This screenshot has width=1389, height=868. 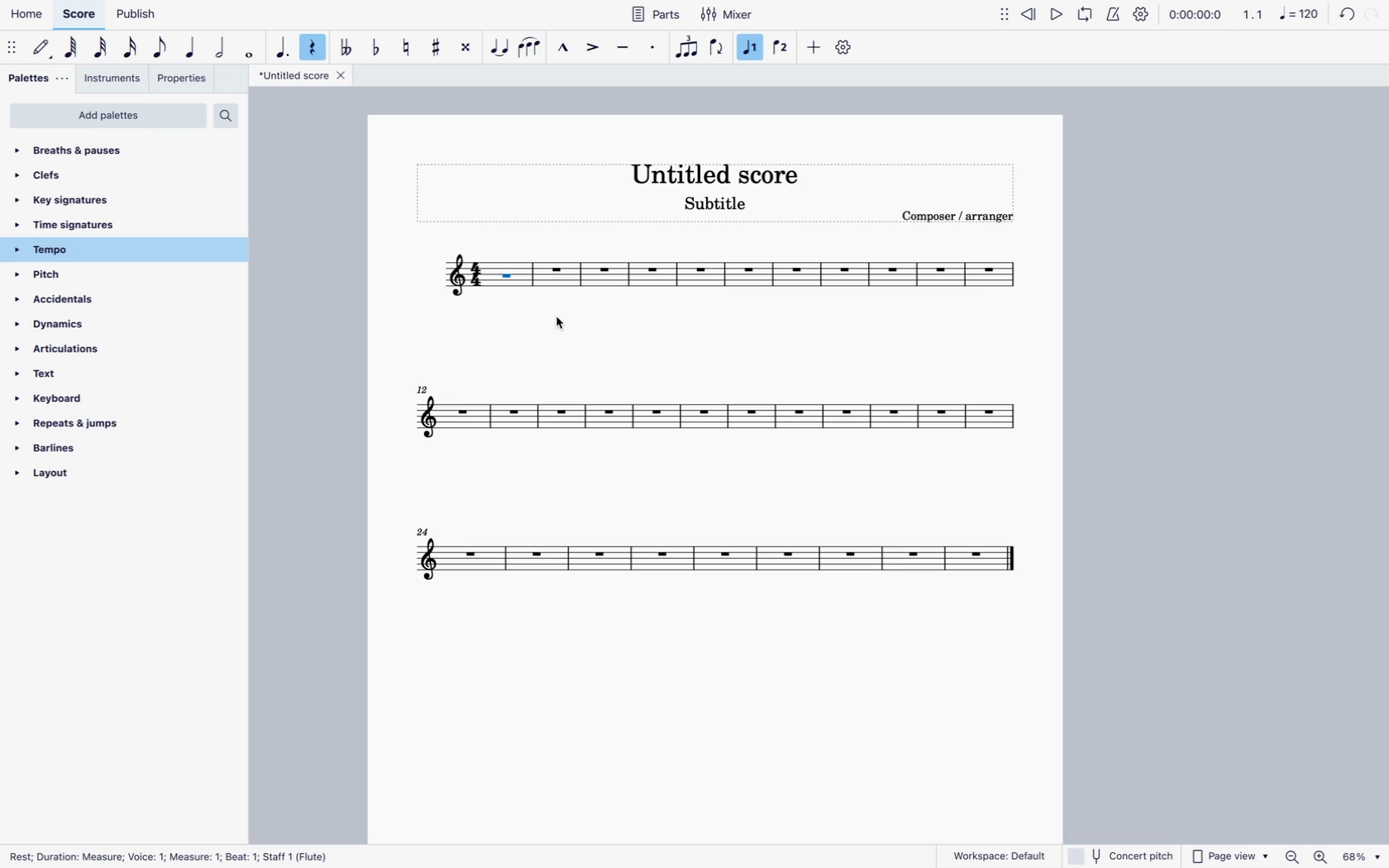 I want to click on , so click(x=1364, y=856).